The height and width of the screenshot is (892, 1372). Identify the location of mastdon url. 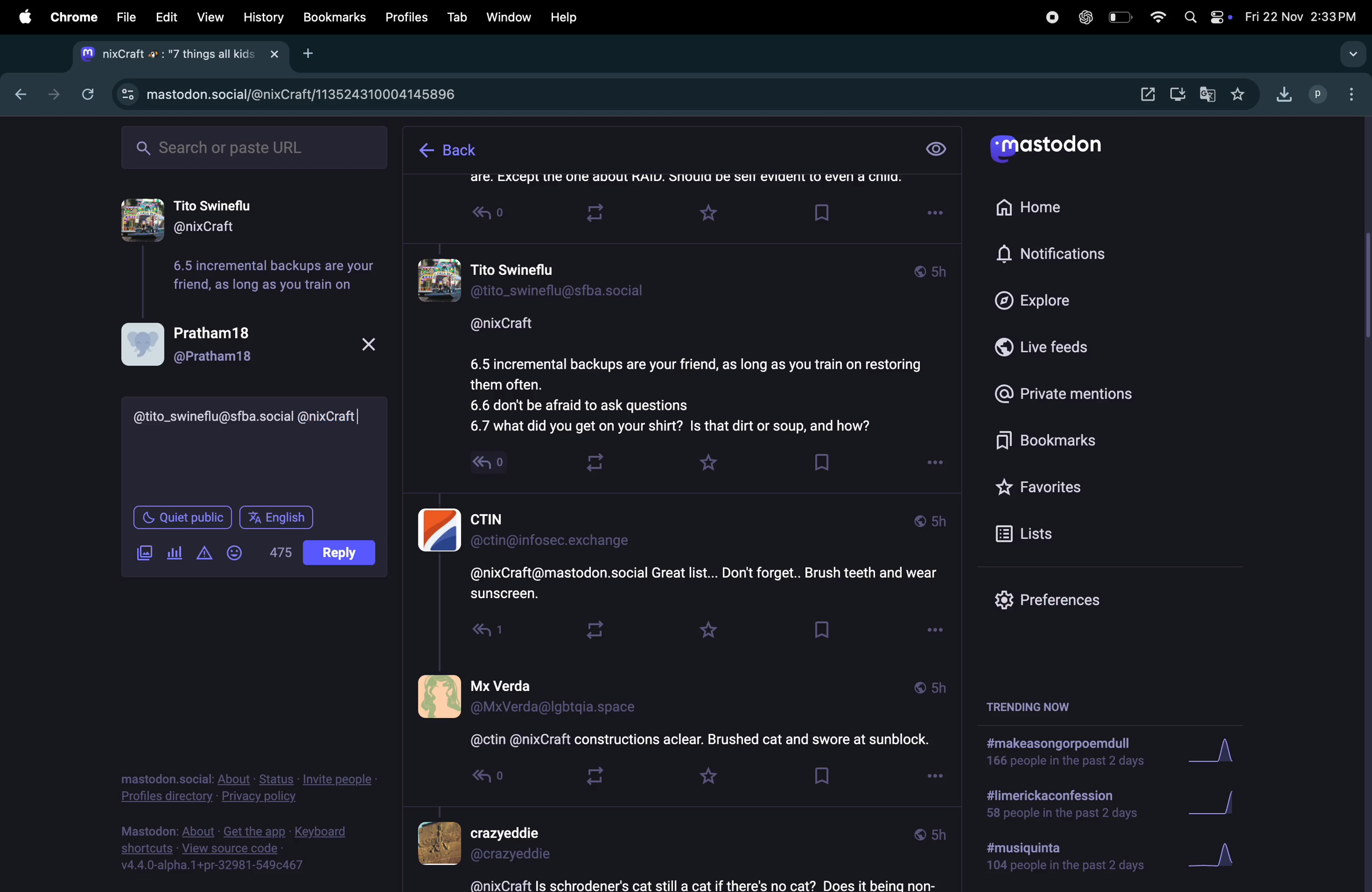
(325, 91).